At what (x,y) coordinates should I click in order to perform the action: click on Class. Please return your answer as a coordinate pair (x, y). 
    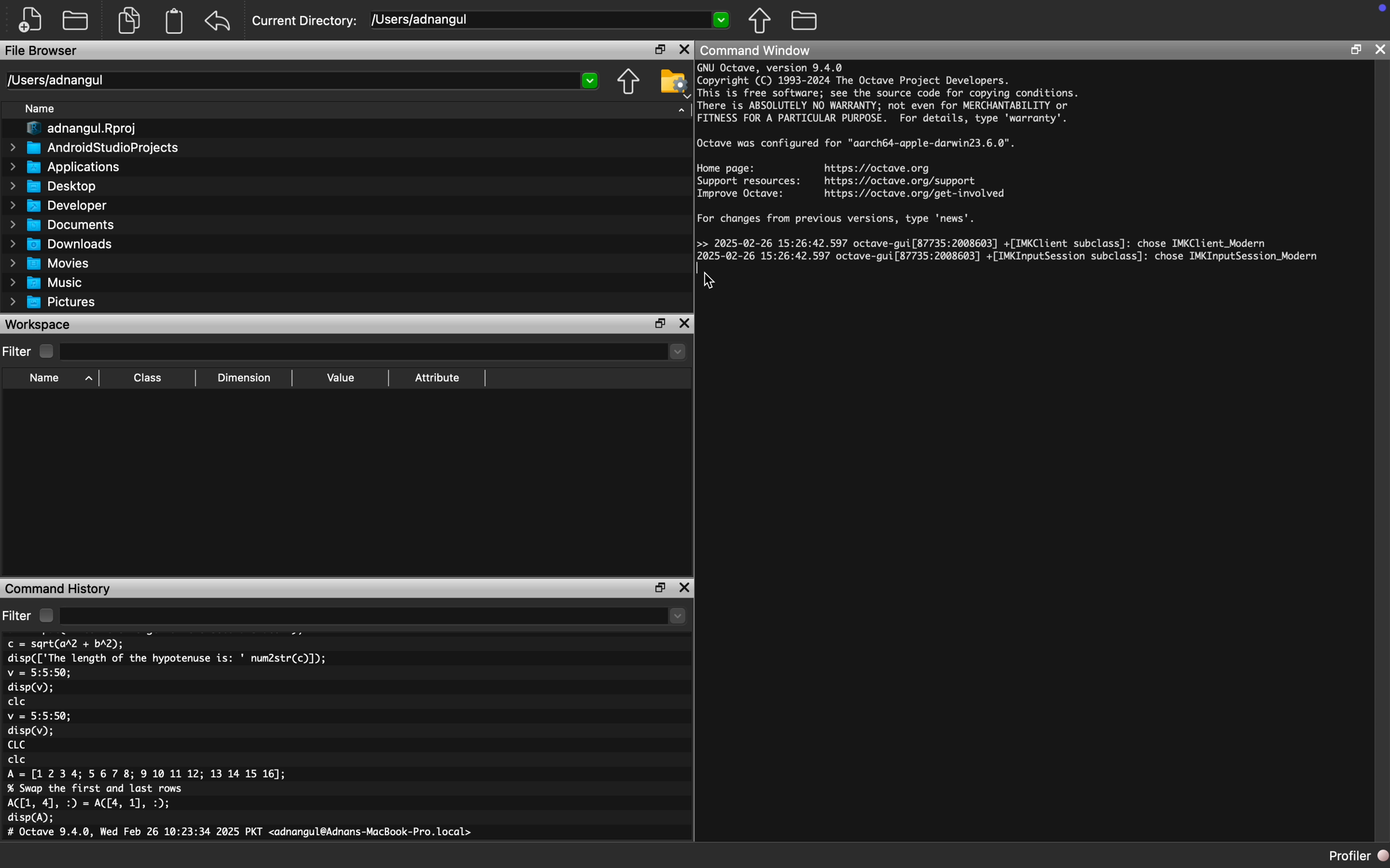
    Looking at the image, I should click on (148, 379).